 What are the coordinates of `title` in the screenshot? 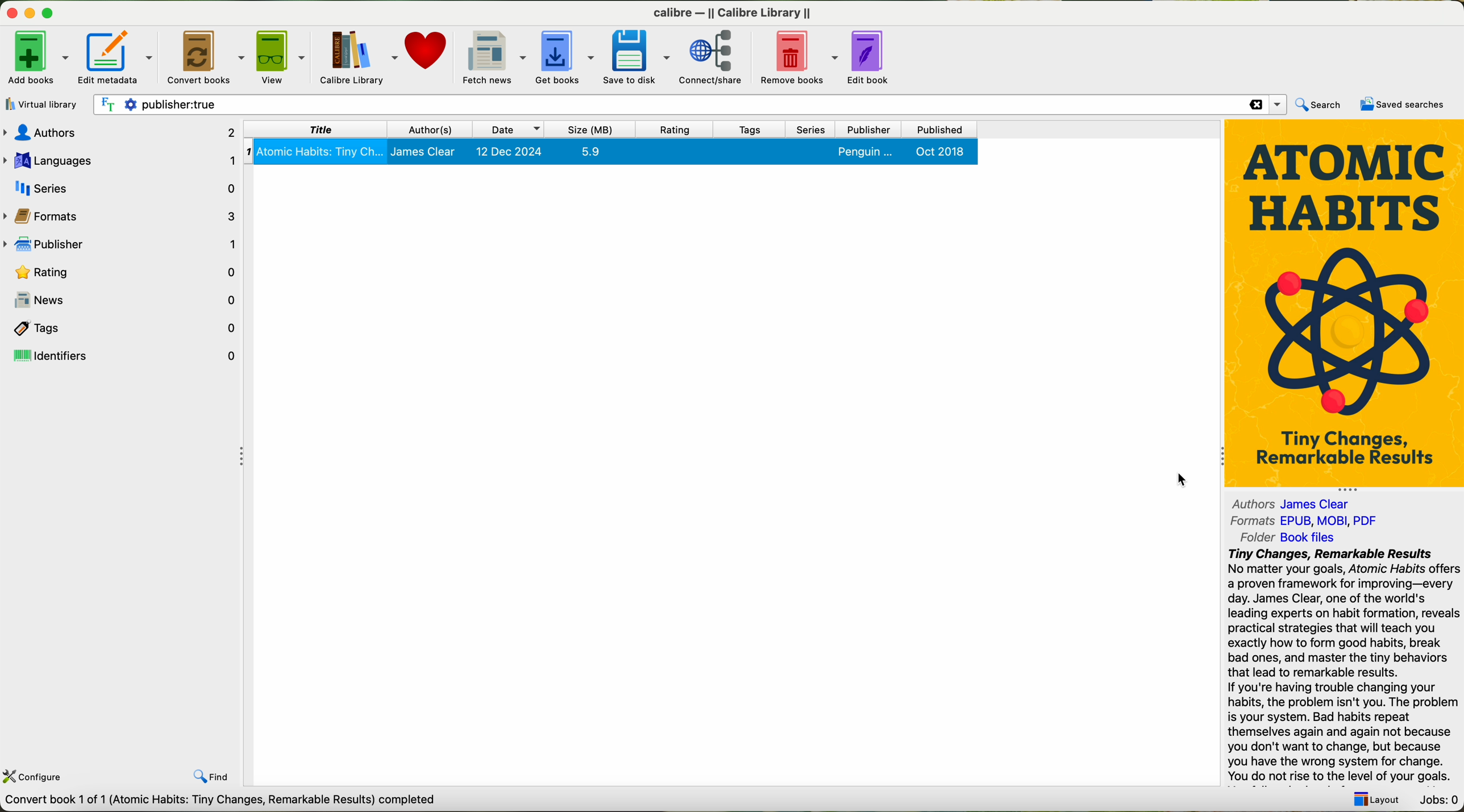 It's located at (314, 130).